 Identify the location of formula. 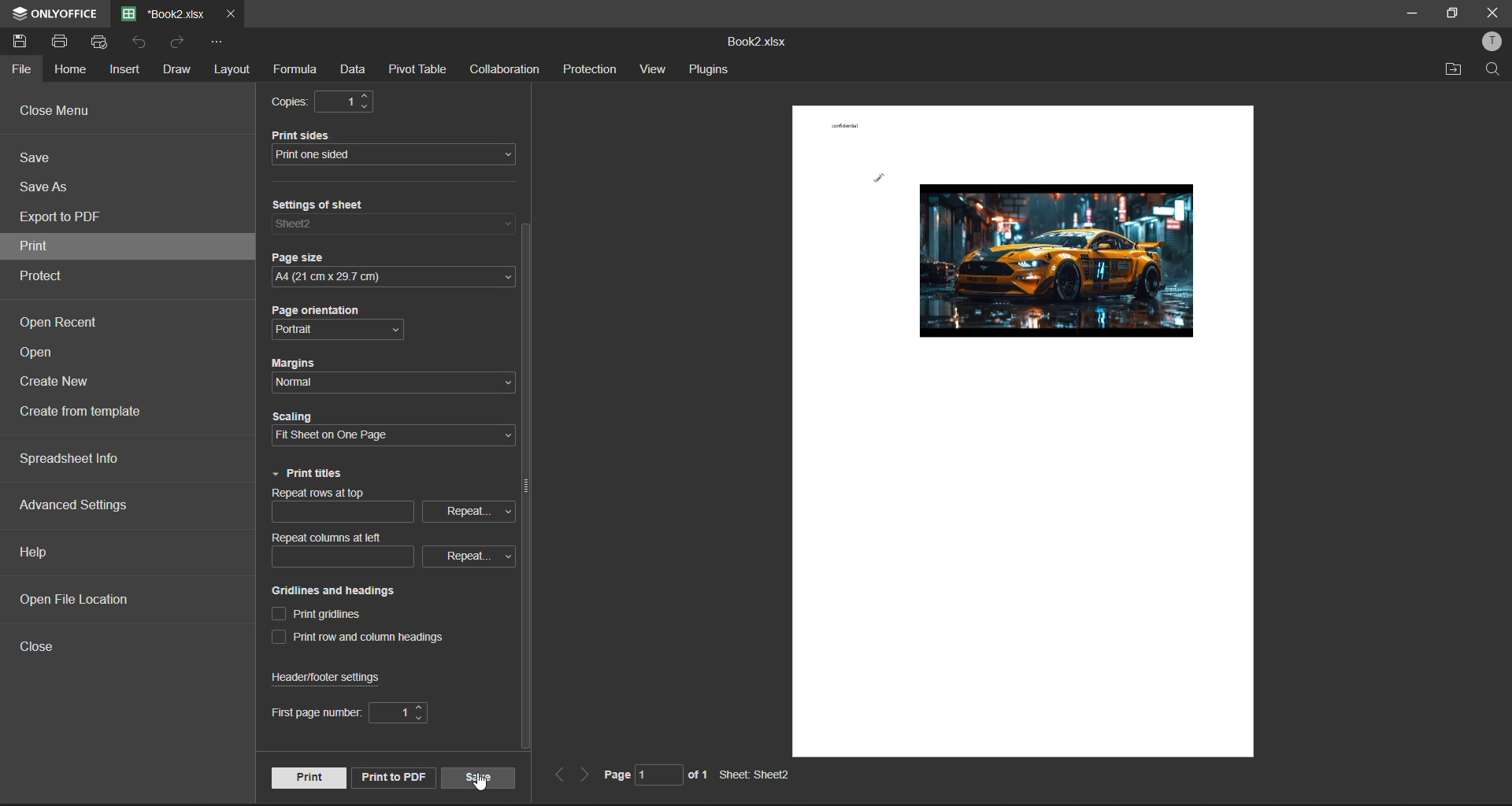
(294, 71).